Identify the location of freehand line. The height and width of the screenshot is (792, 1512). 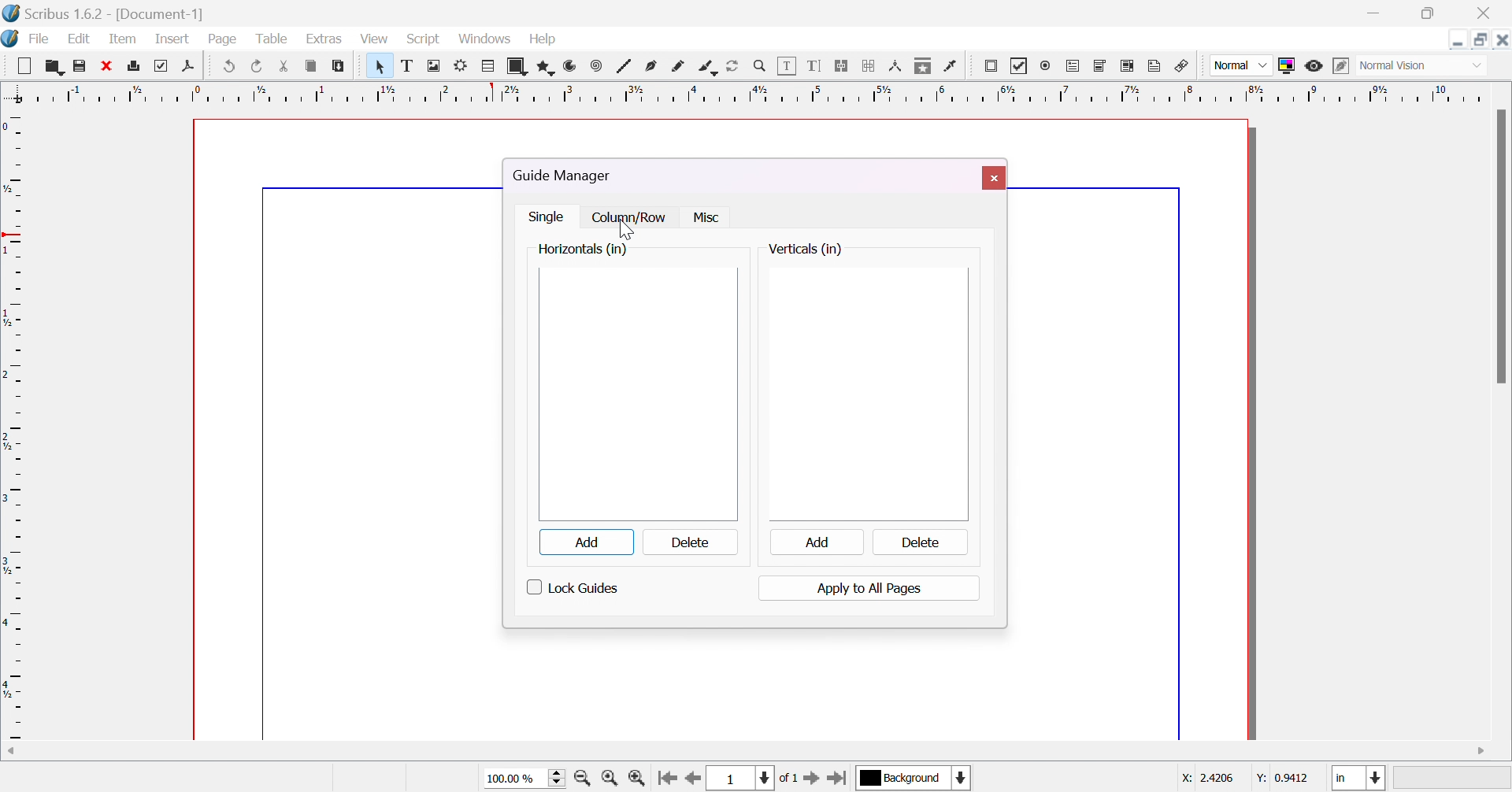
(681, 68).